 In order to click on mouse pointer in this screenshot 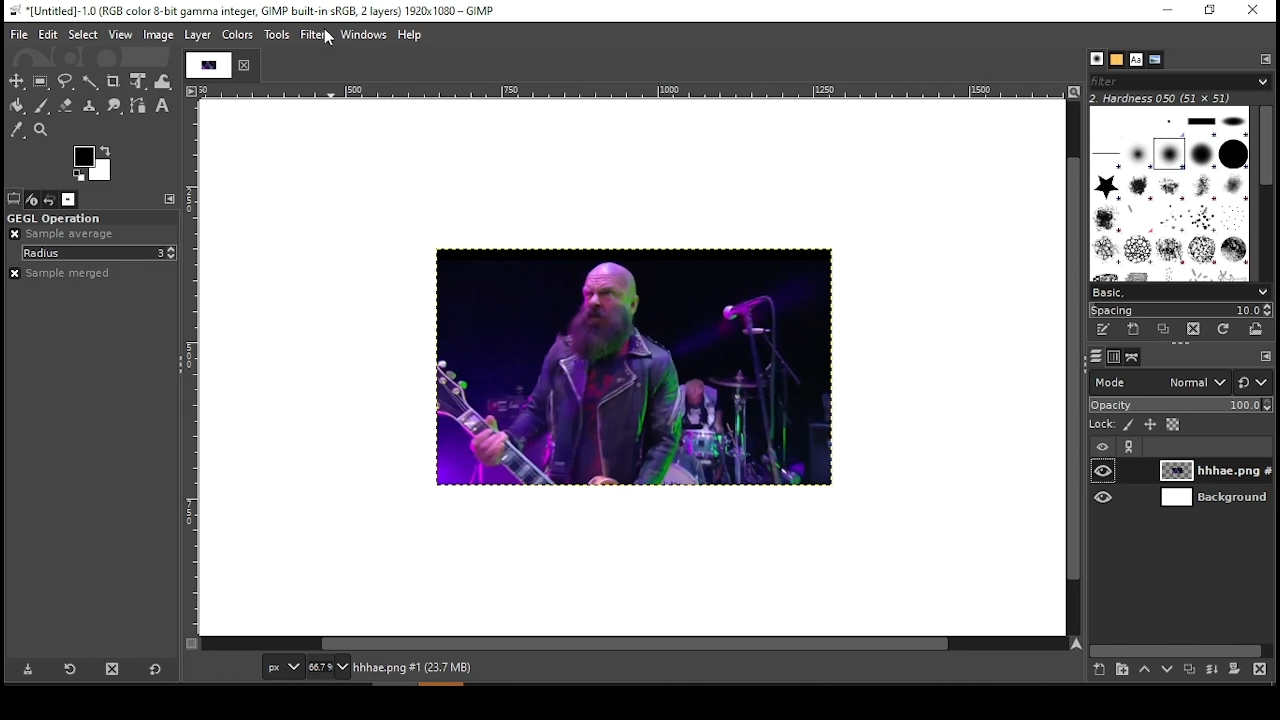, I will do `click(330, 39)`.